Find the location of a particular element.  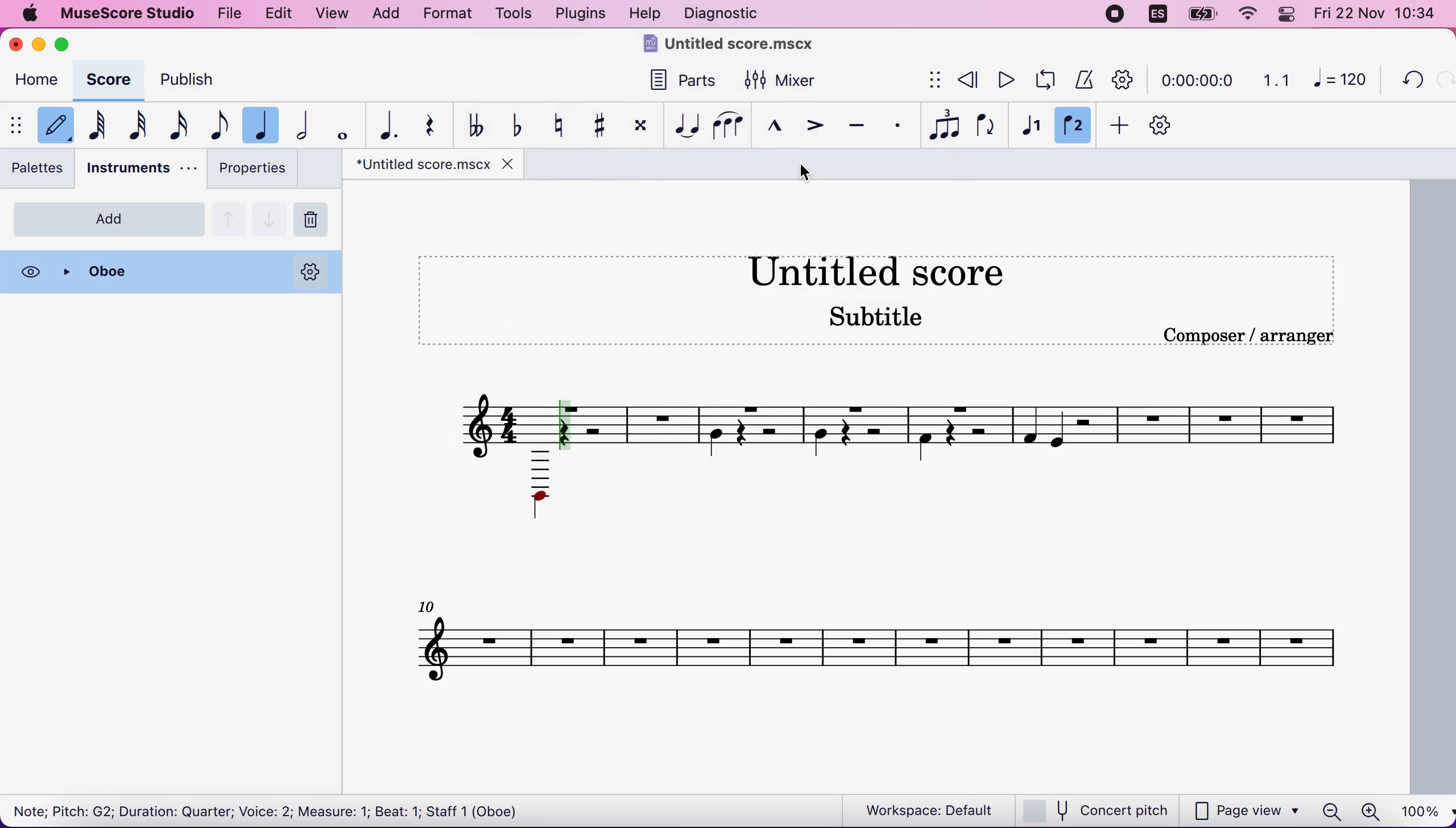

"Untitled score.mscx is located at coordinates (738, 47).